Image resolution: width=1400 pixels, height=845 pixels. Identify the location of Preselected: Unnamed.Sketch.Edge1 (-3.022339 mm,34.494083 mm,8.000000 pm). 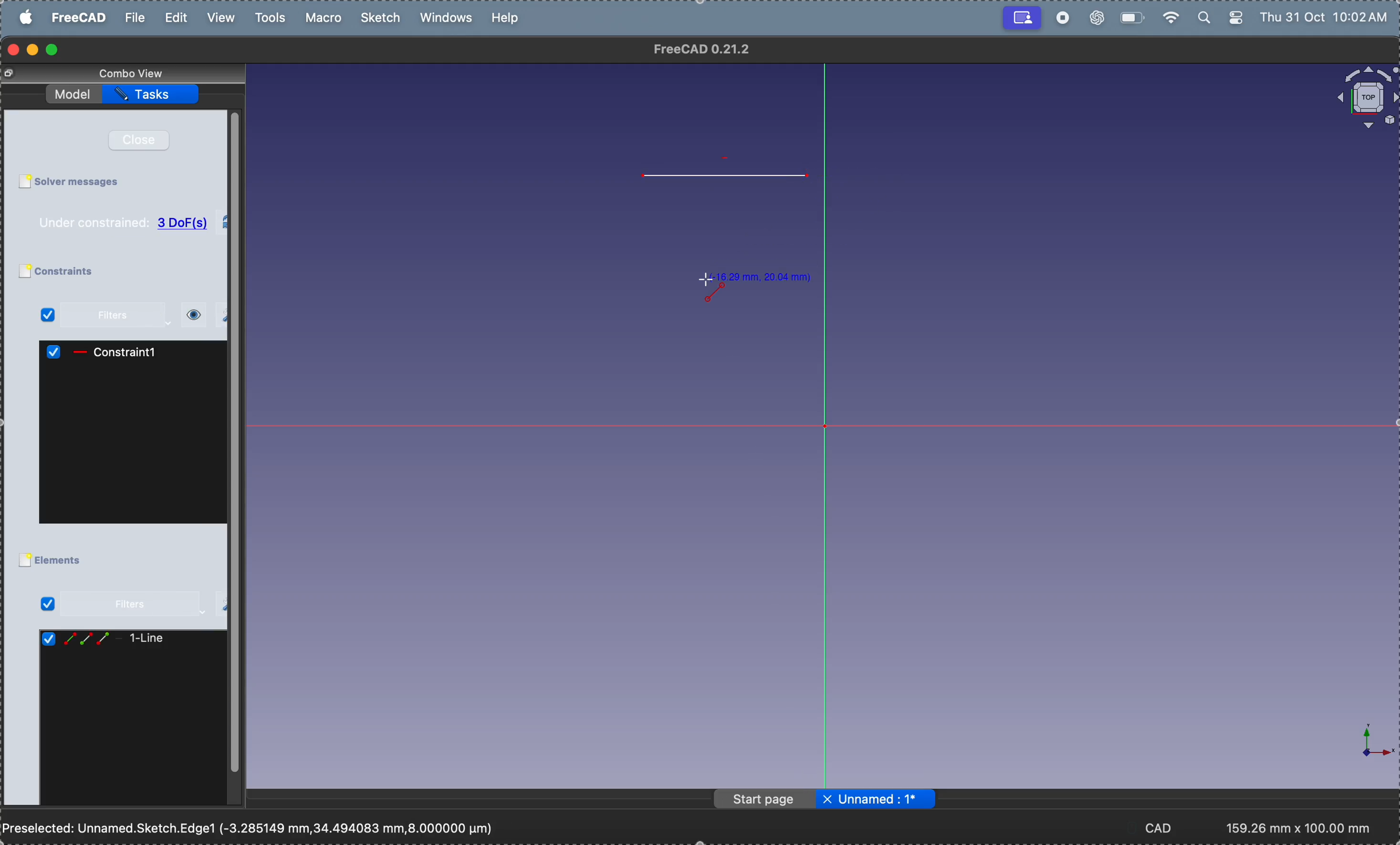
(252, 829).